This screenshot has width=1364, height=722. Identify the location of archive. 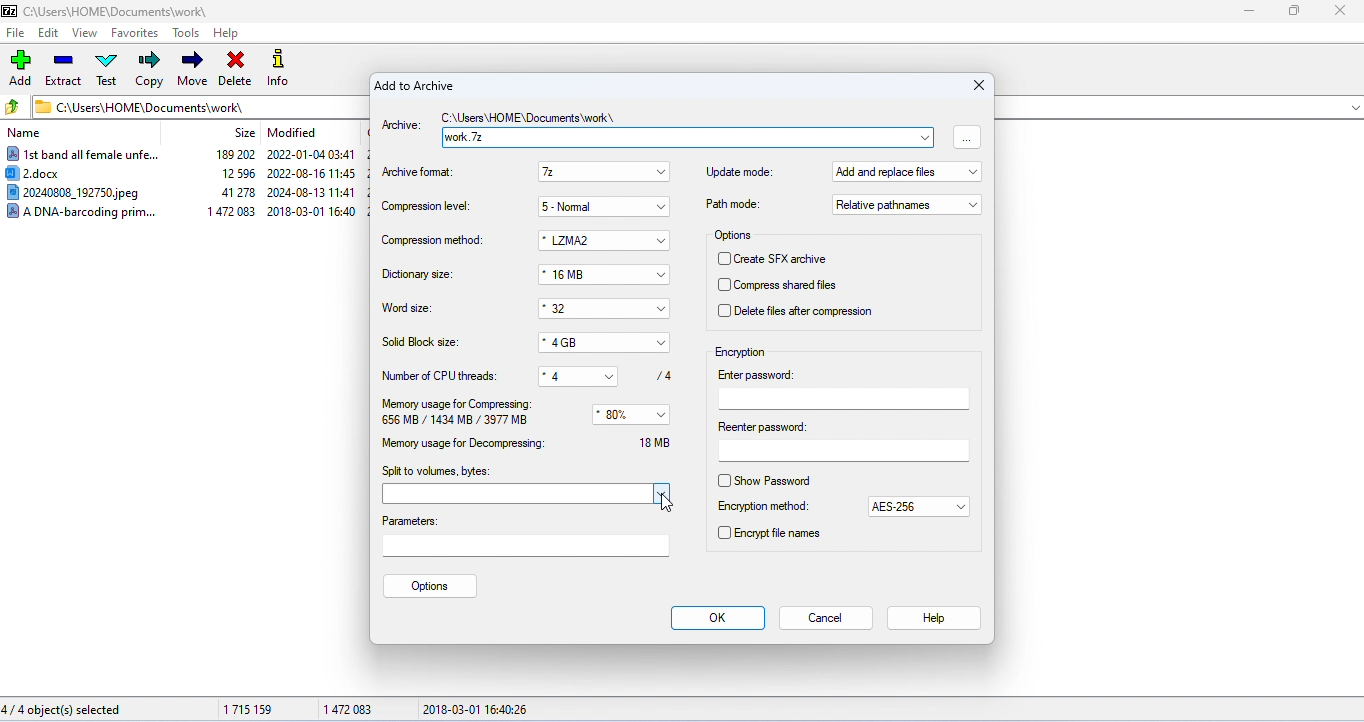
(401, 126).